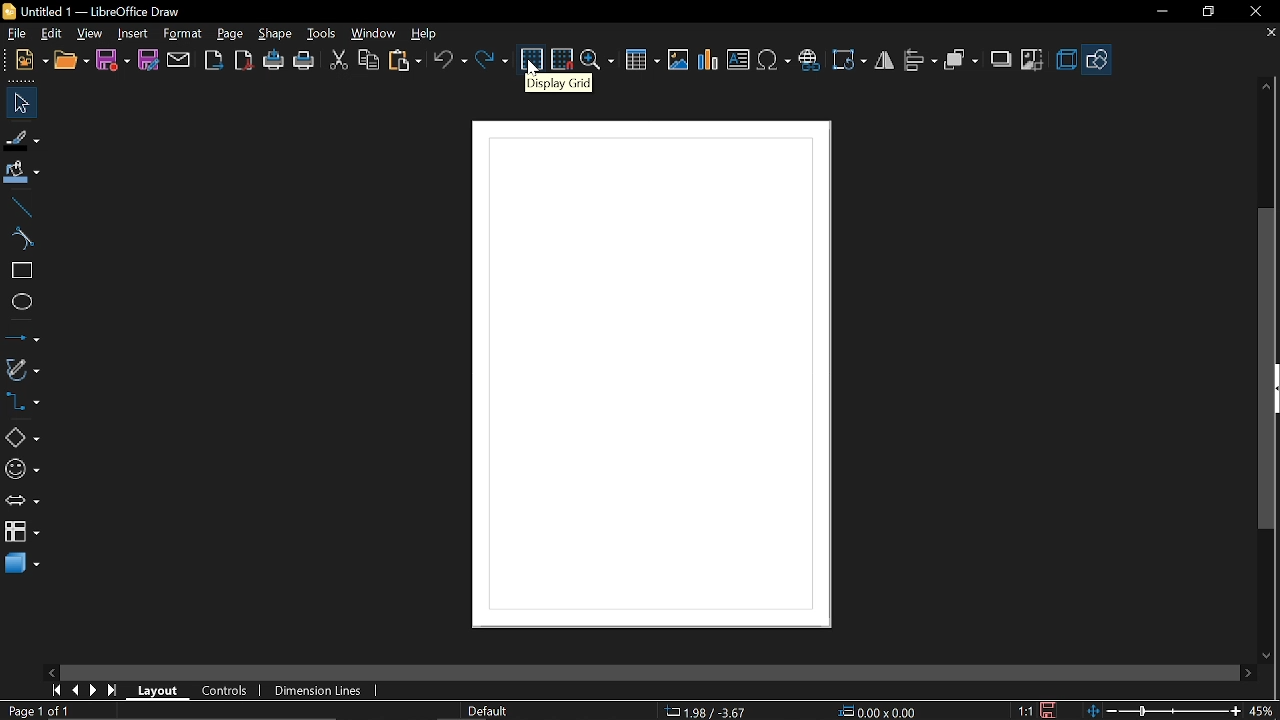  Describe the element at coordinates (811, 58) in the screenshot. I see `Insert Hyperlink` at that location.